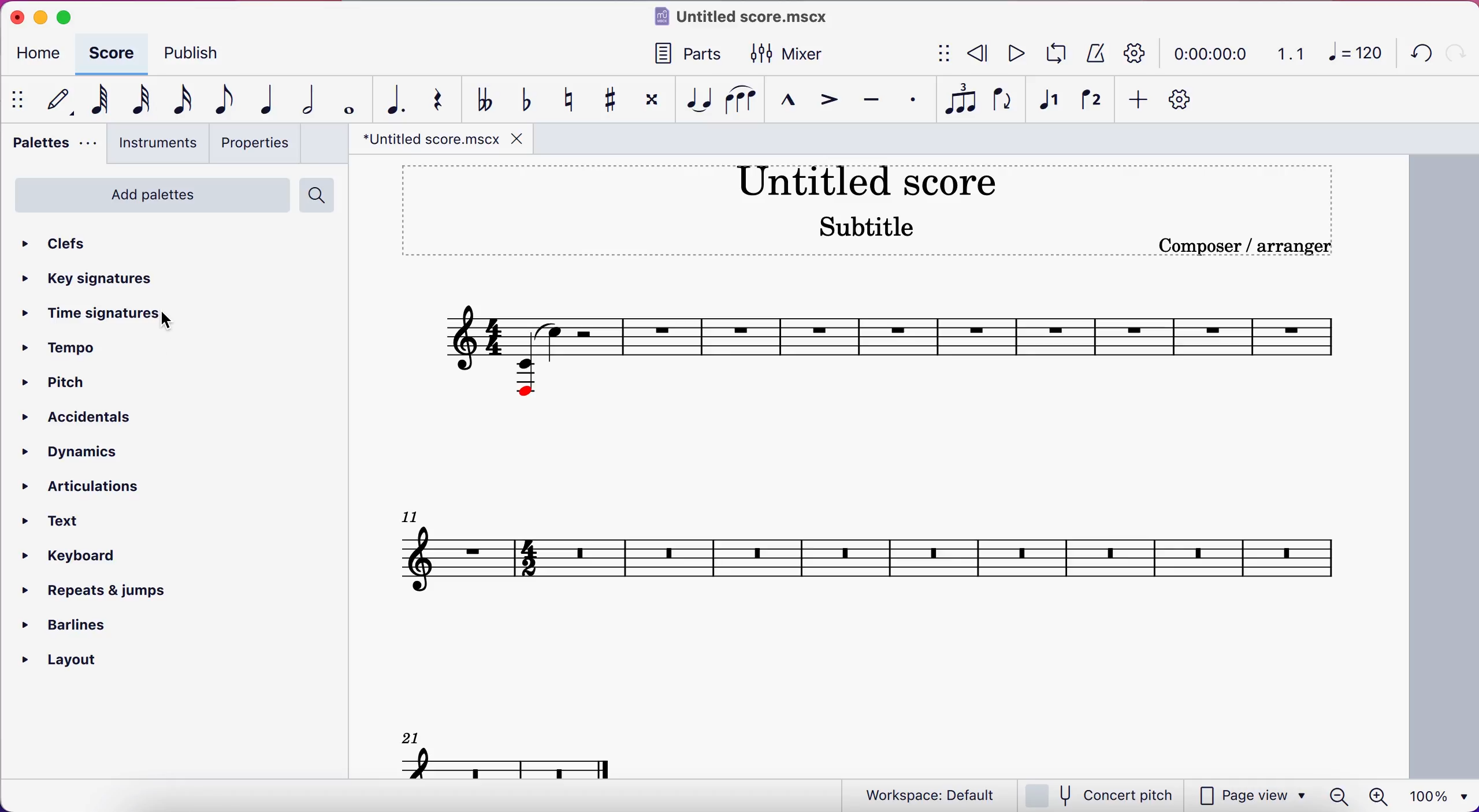  Describe the element at coordinates (54, 245) in the screenshot. I see `clefs` at that location.